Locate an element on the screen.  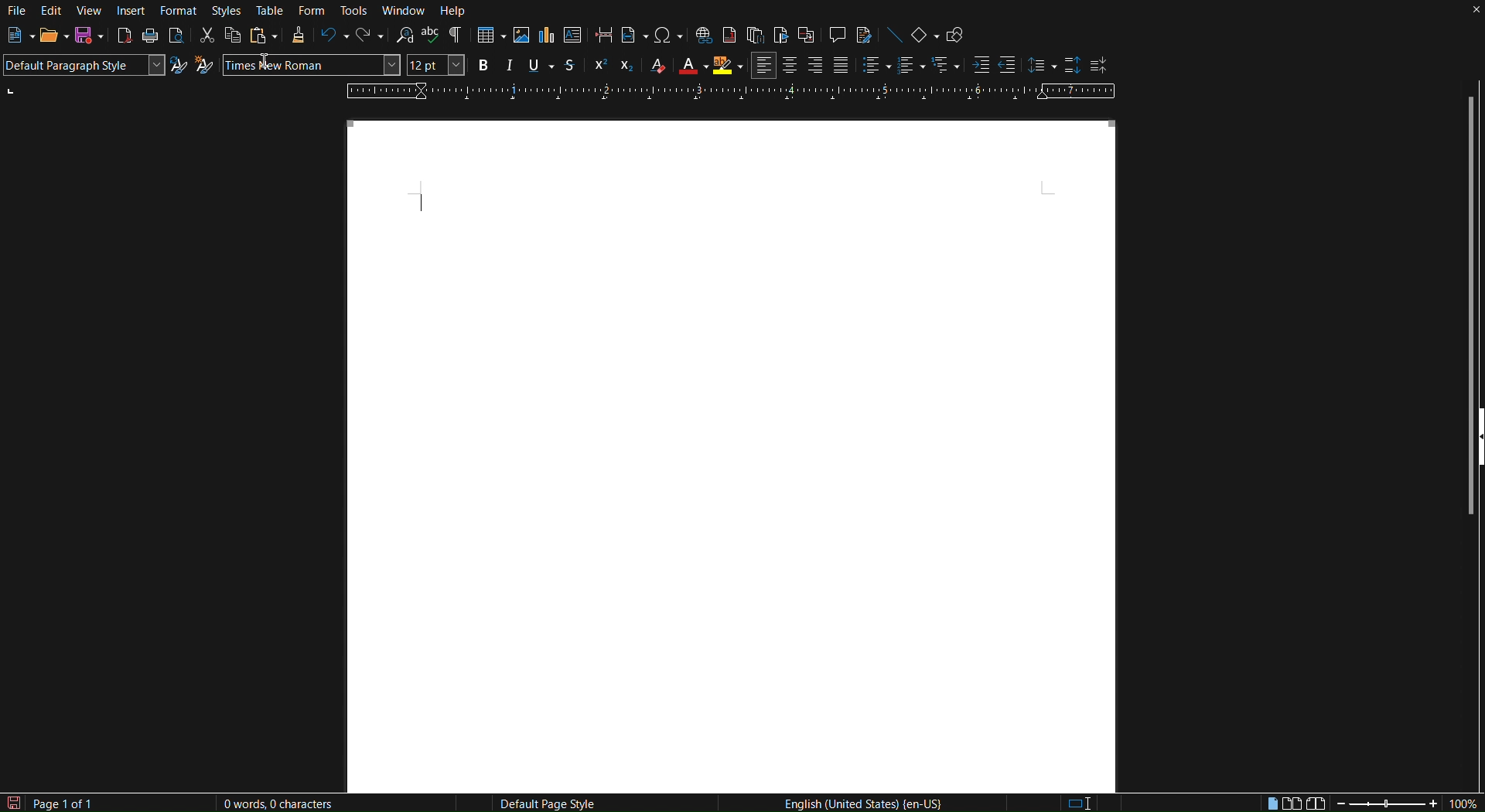
Insert Table is located at coordinates (490, 36).